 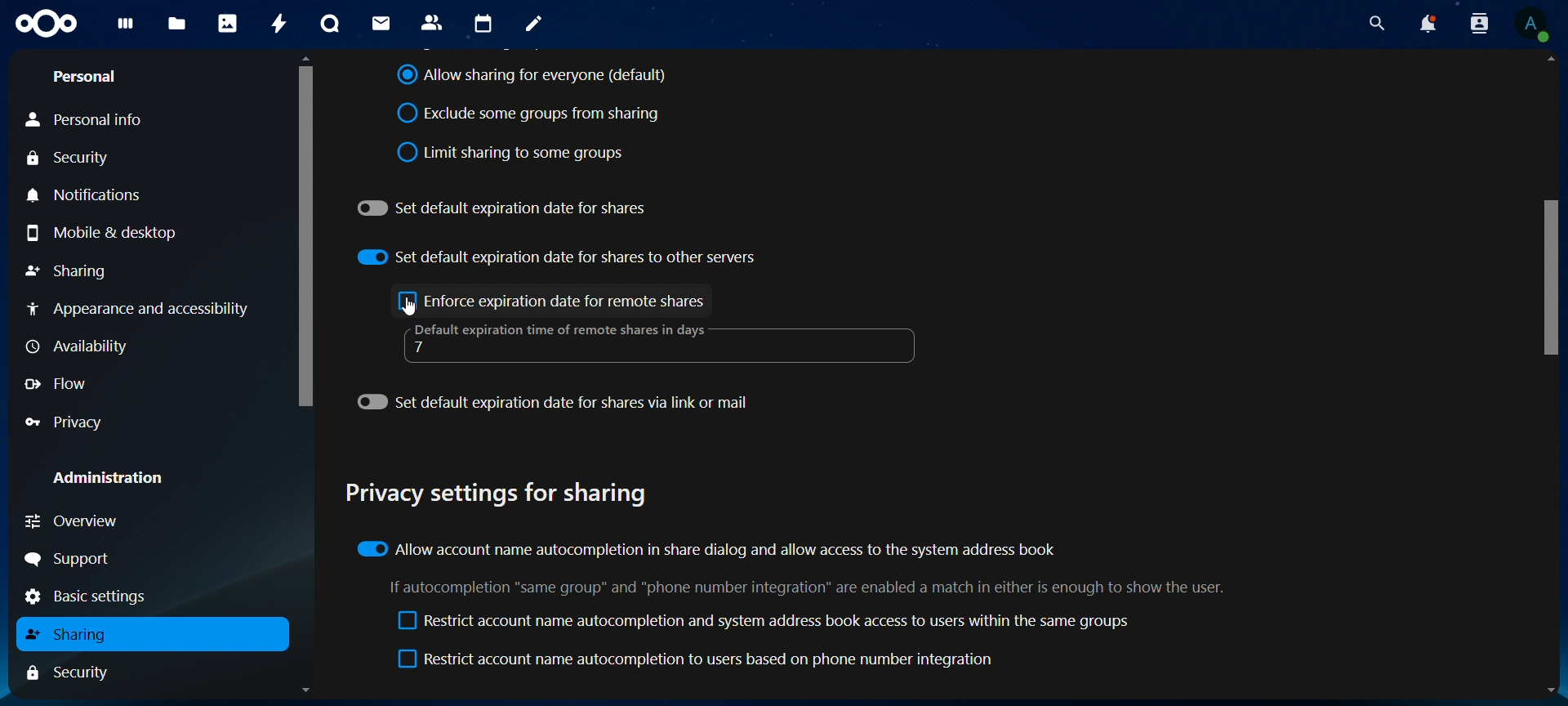 I want to click on support, so click(x=75, y=559).